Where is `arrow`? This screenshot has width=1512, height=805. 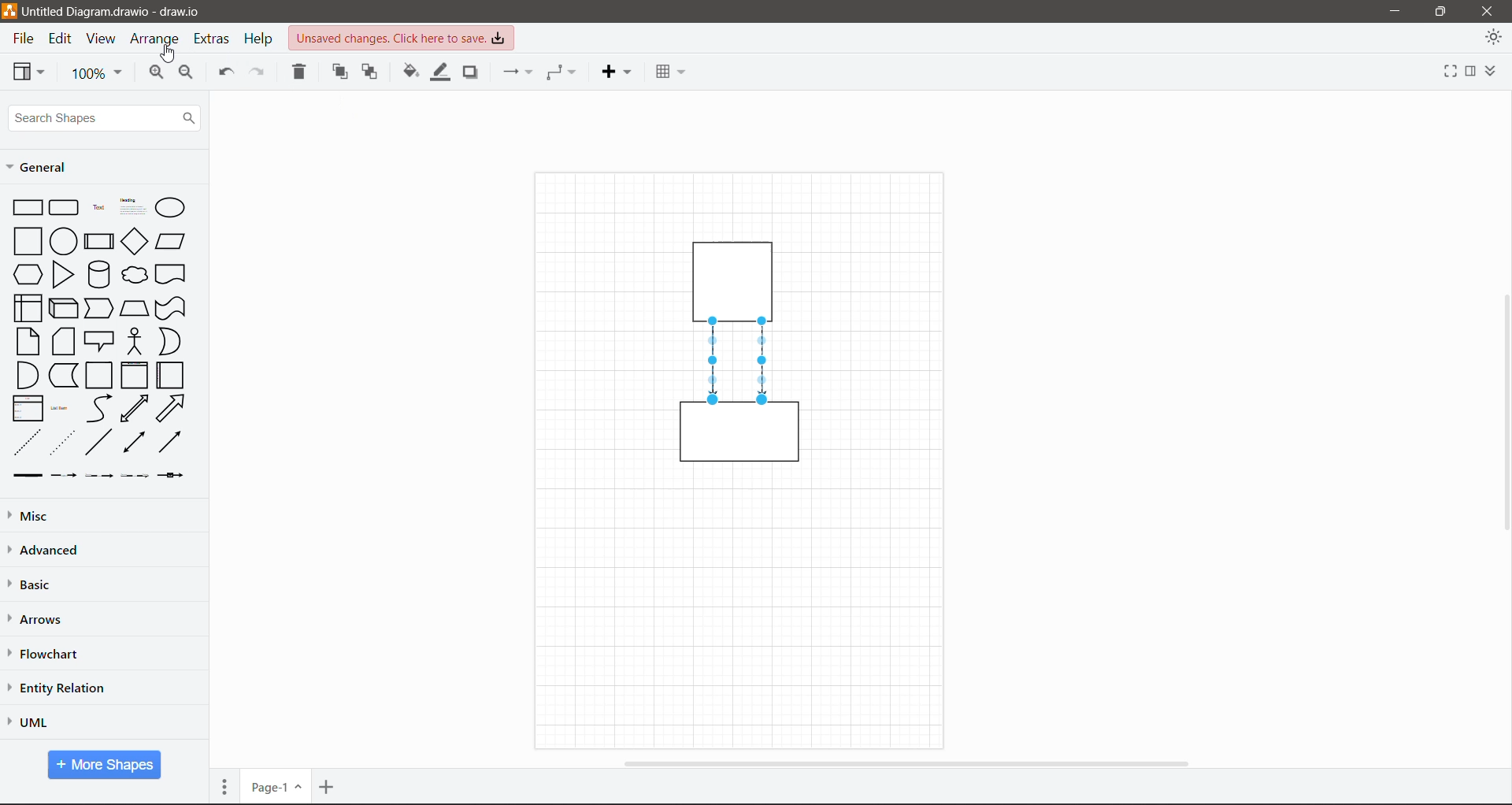 arrow is located at coordinates (172, 408).